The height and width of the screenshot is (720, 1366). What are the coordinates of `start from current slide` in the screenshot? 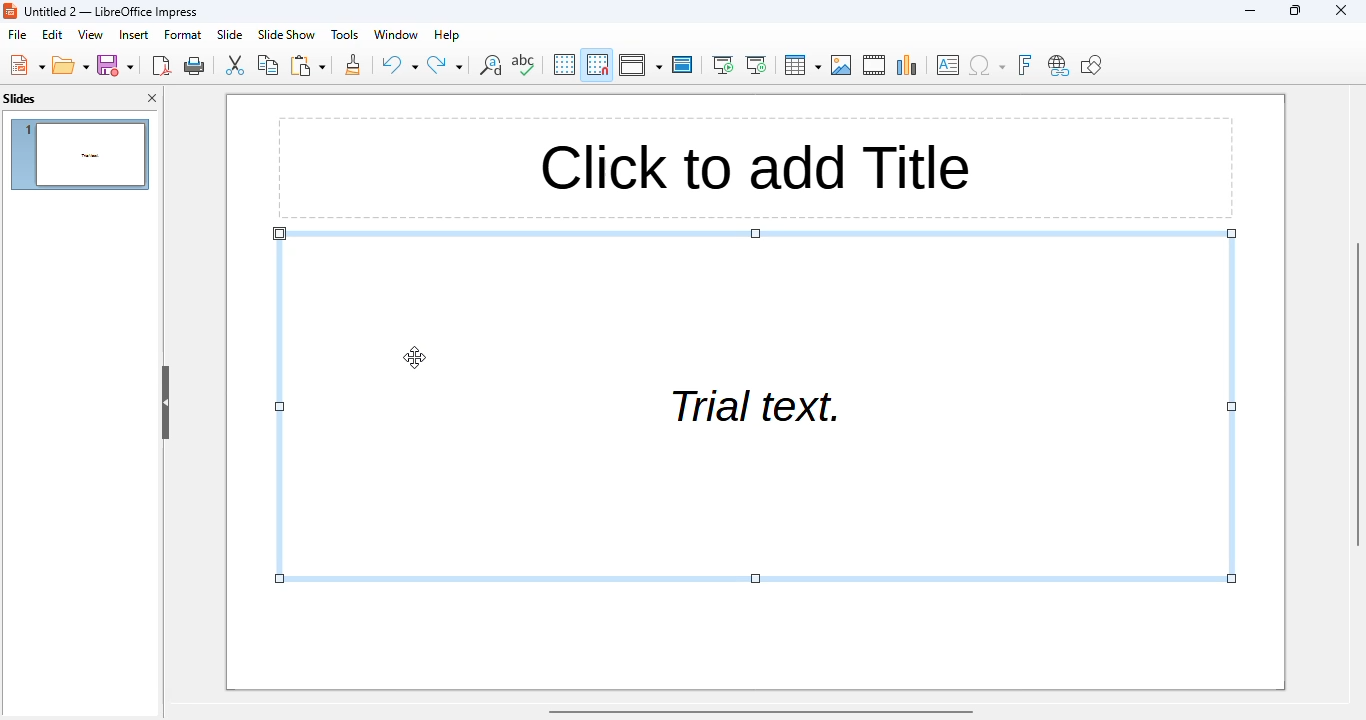 It's located at (757, 65).